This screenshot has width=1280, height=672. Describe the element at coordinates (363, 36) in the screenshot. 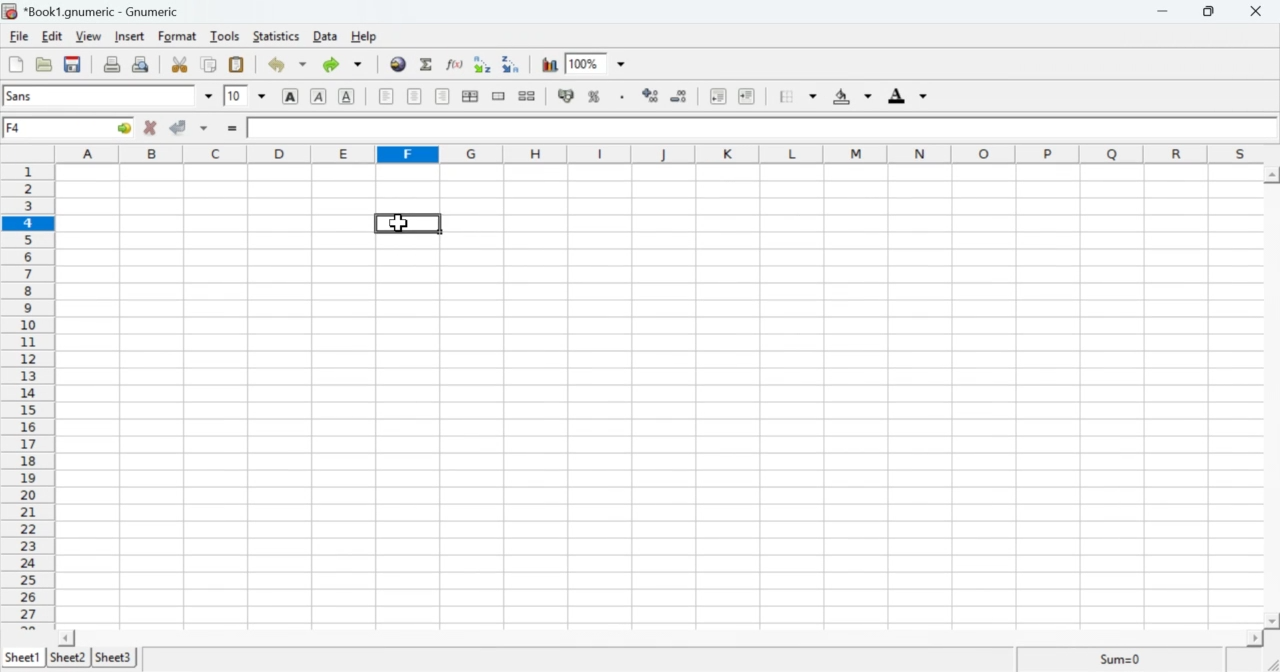

I see `Help` at that location.